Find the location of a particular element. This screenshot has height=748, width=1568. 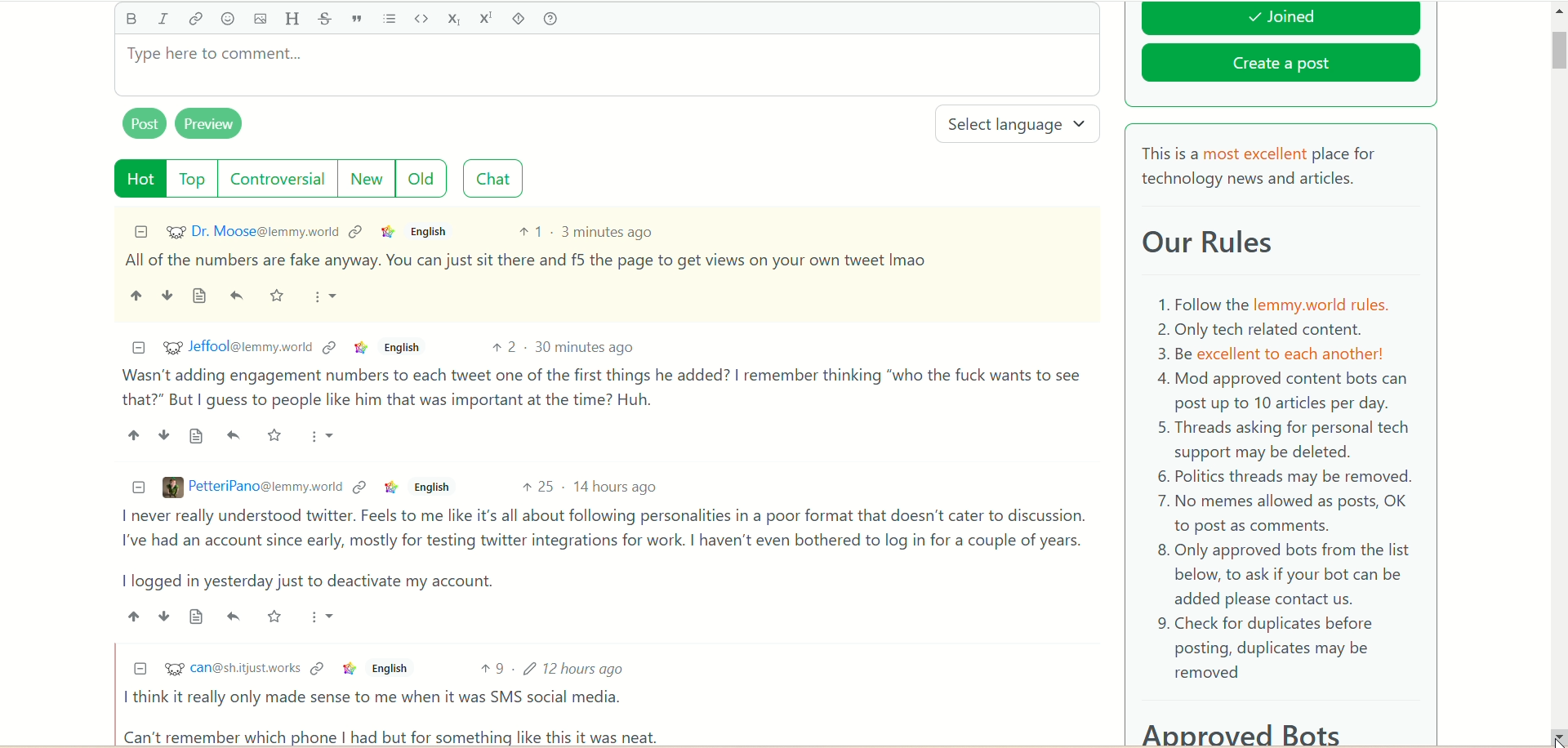

type comment is located at coordinates (607, 65).